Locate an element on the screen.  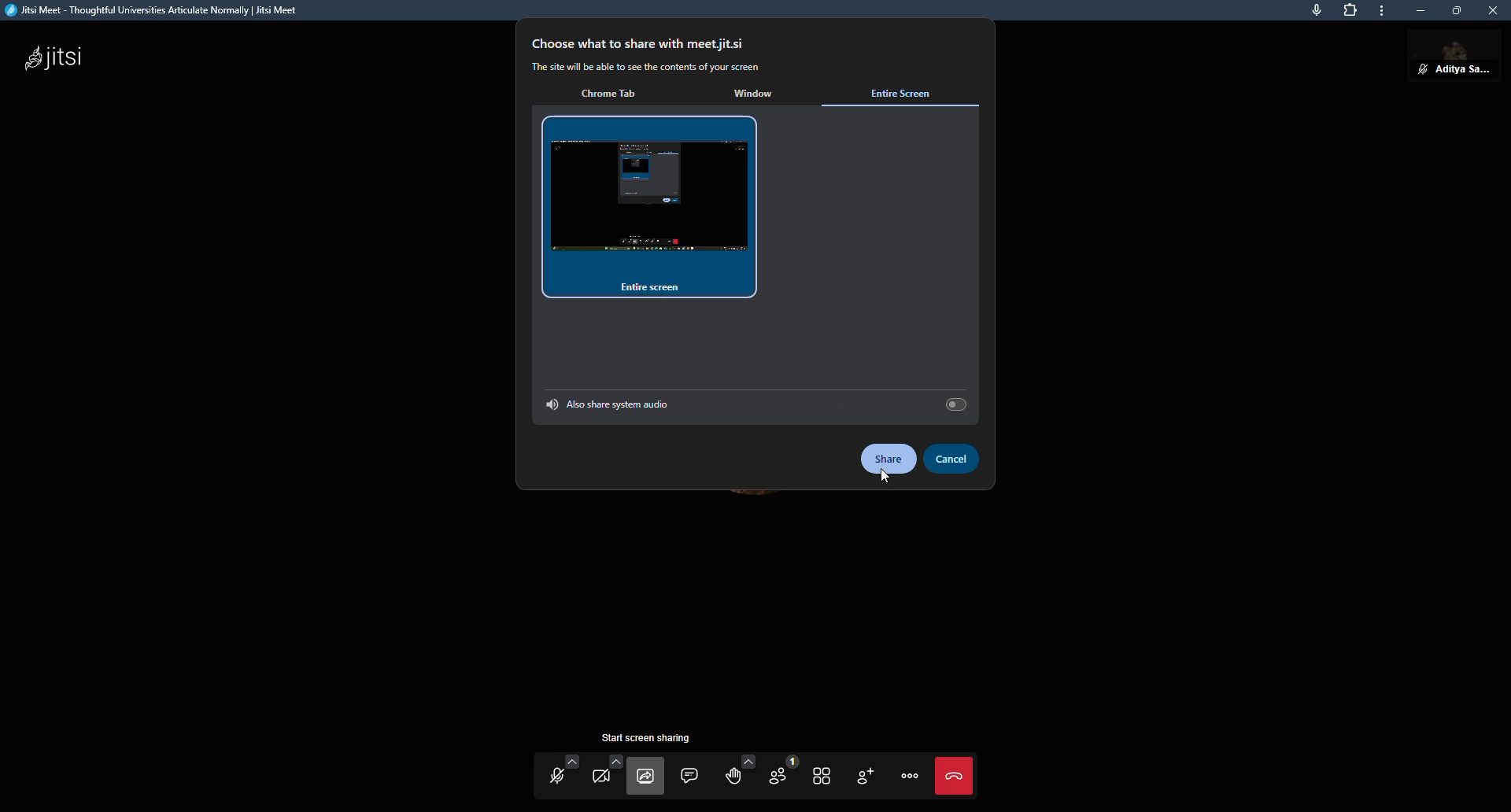
extensions is located at coordinates (1351, 13).